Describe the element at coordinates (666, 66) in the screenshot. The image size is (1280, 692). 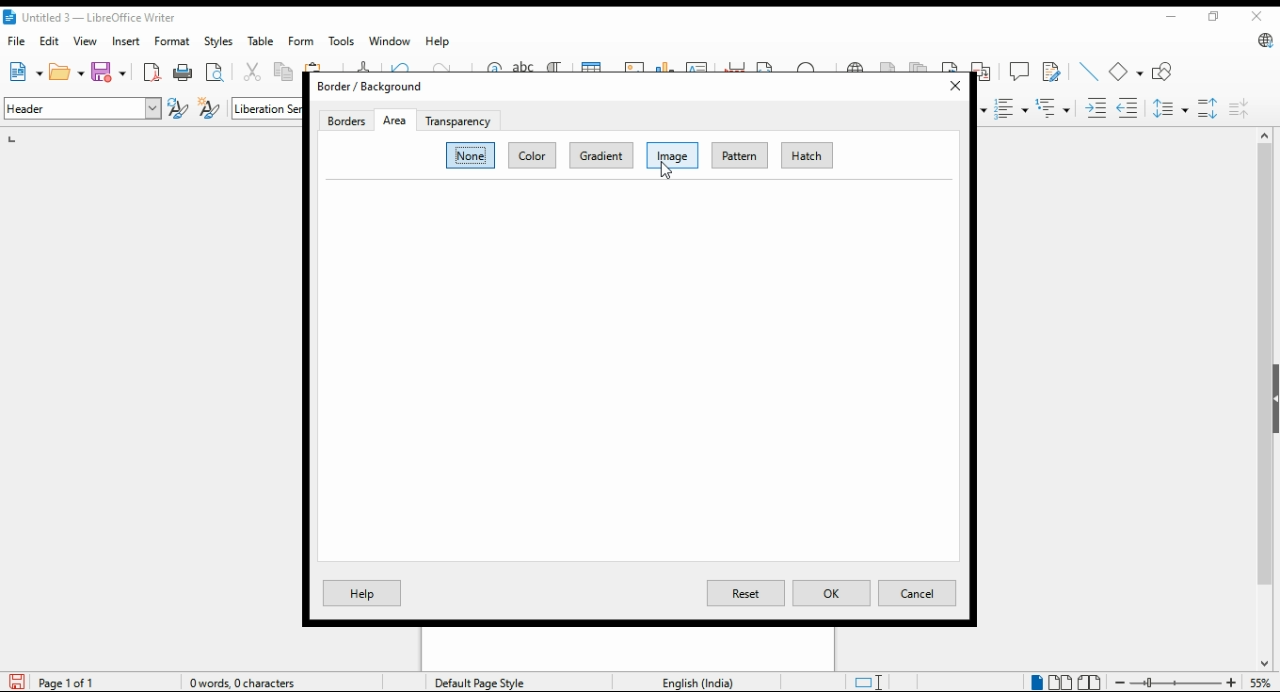
I see `insert chart` at that location.